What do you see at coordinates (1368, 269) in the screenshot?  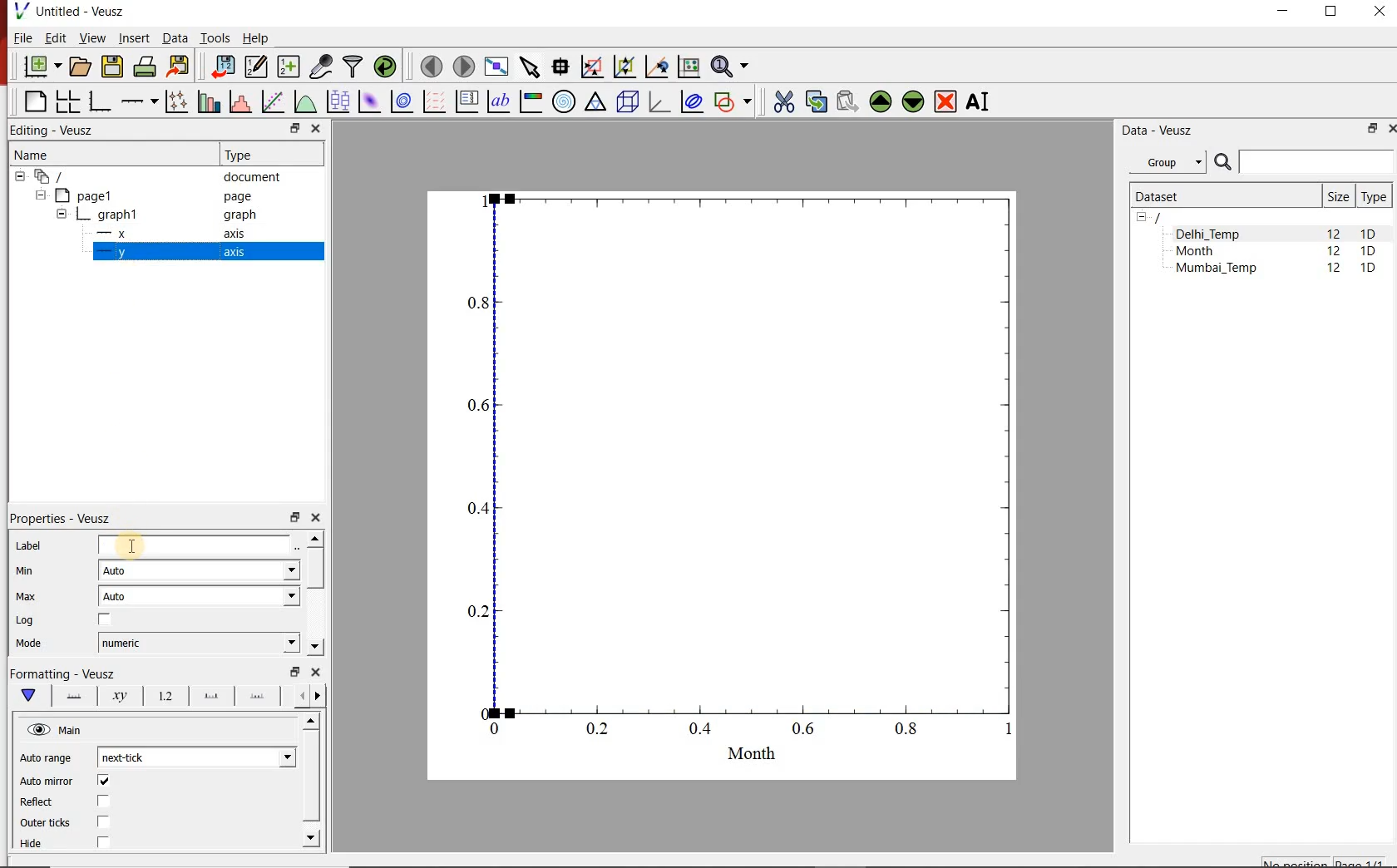 I see `1D` at bounding box center [1368, 269].